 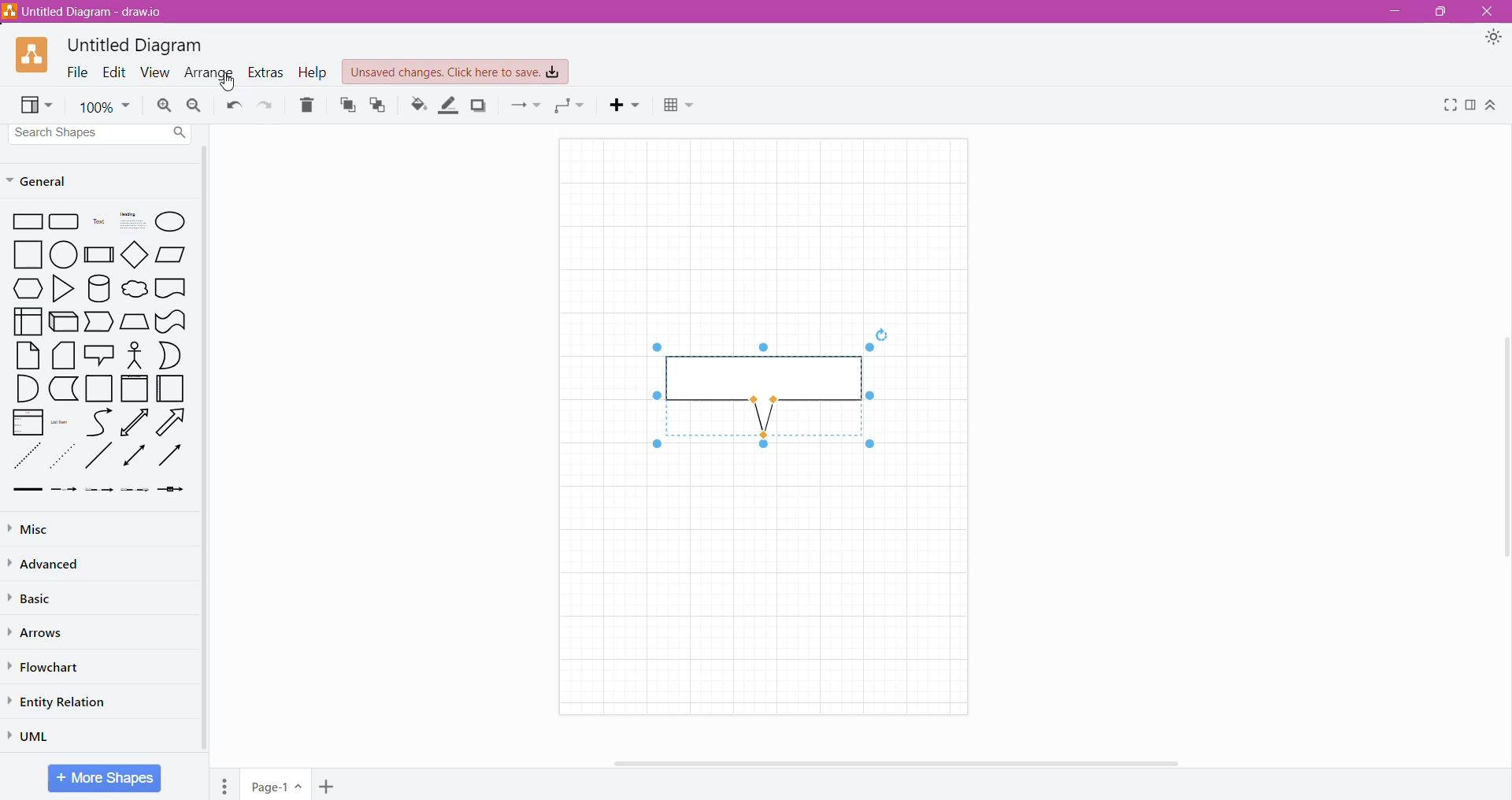 What do you see at coordinates (98, 288) in the screenshot?
I see `Cylinder ` at bounding box center [98, 288].